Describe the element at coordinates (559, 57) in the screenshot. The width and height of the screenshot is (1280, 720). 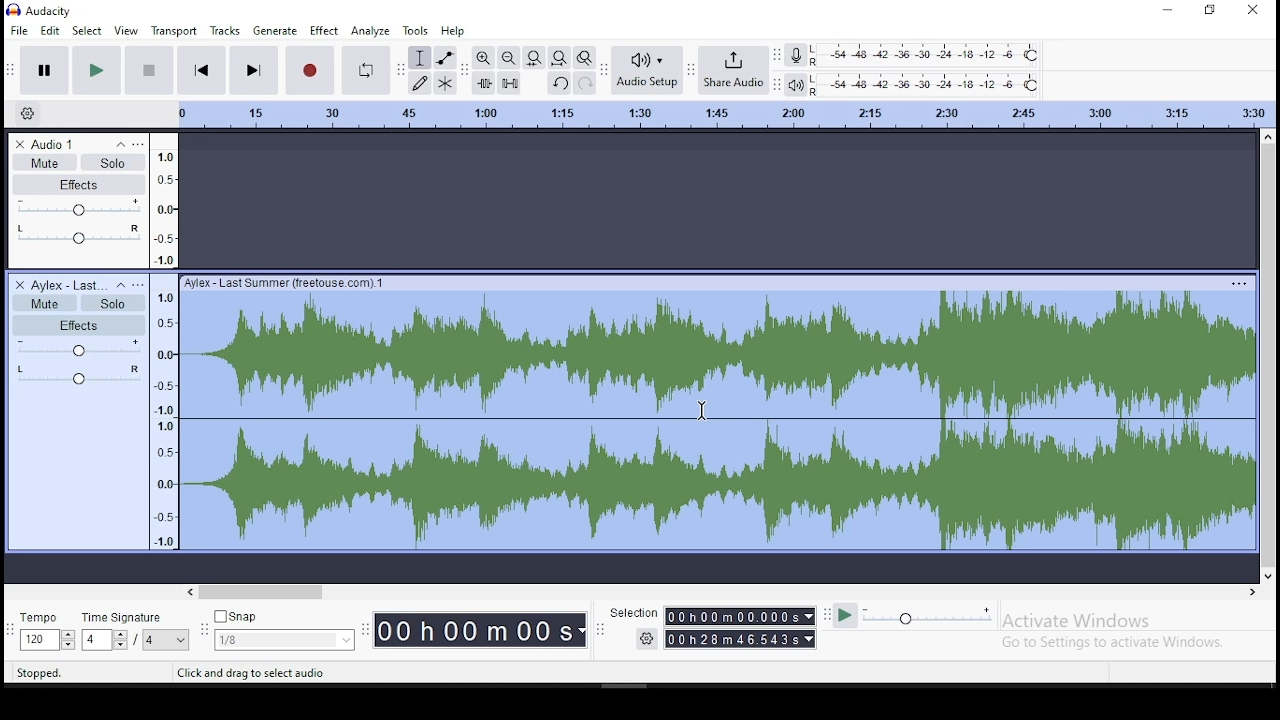
I see `fit project to width` at that location.